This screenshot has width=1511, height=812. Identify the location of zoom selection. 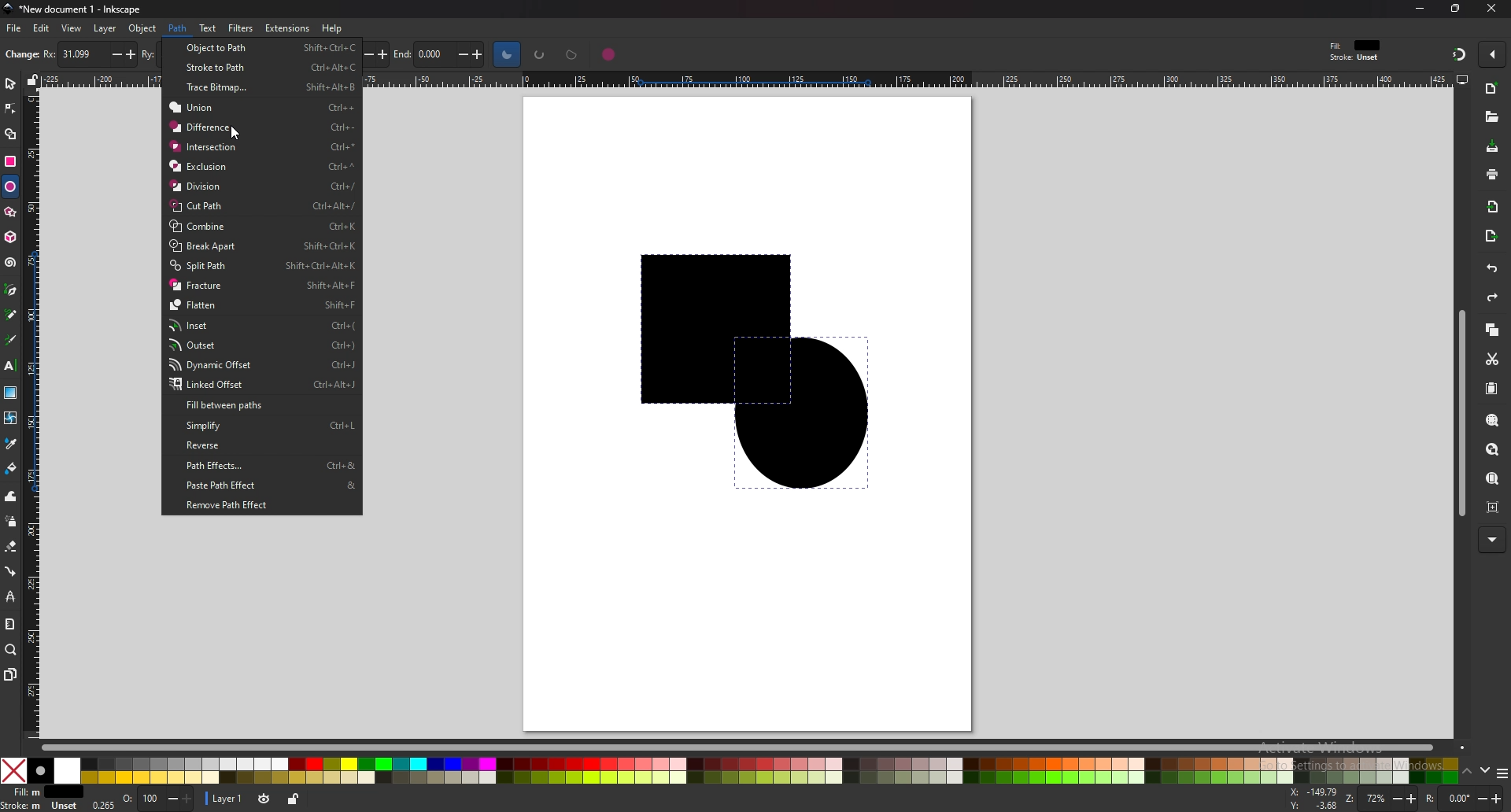
(1494, 420).